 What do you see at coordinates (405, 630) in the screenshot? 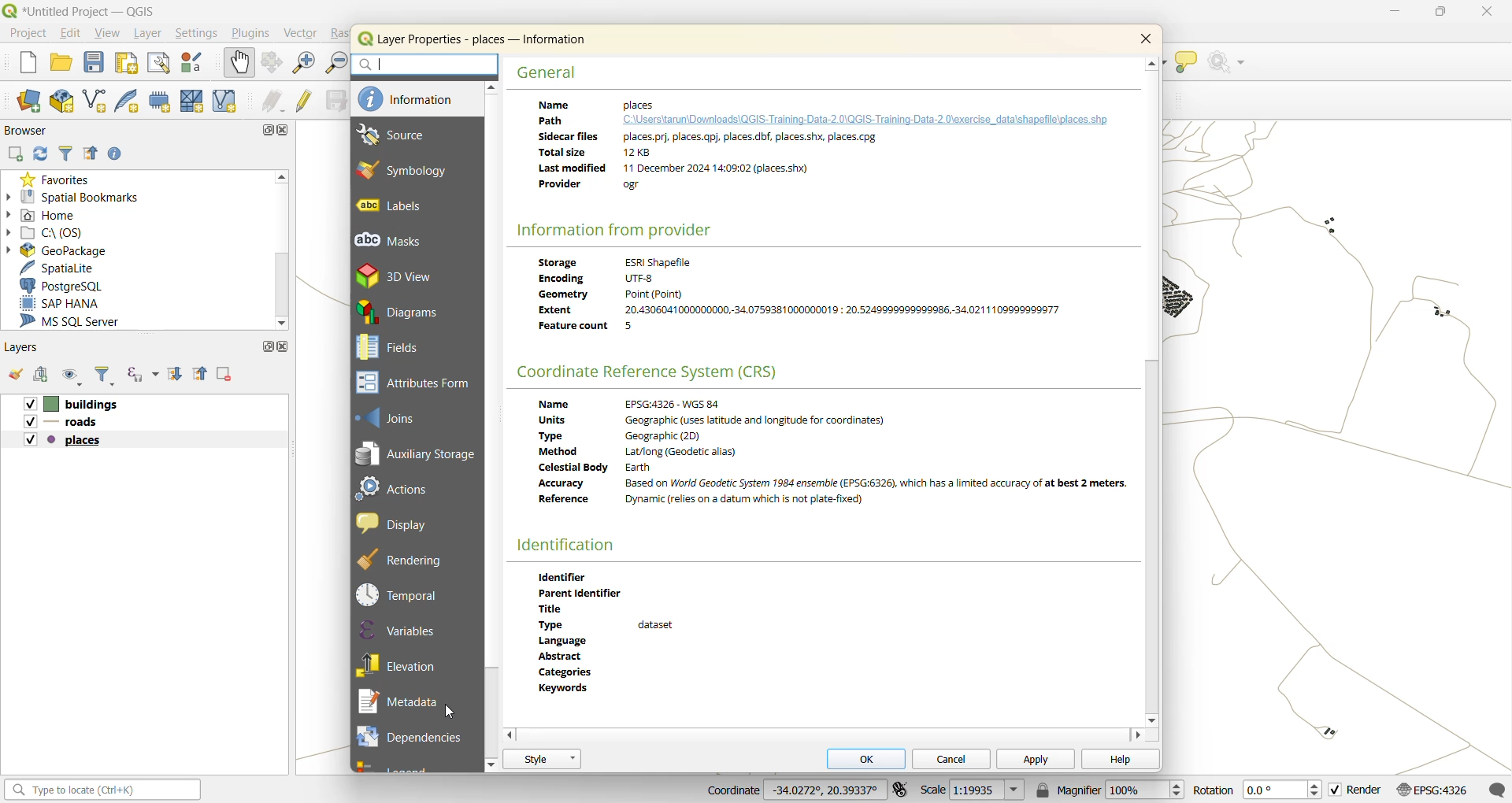
I see `variables` at bounding box center [405, 630].